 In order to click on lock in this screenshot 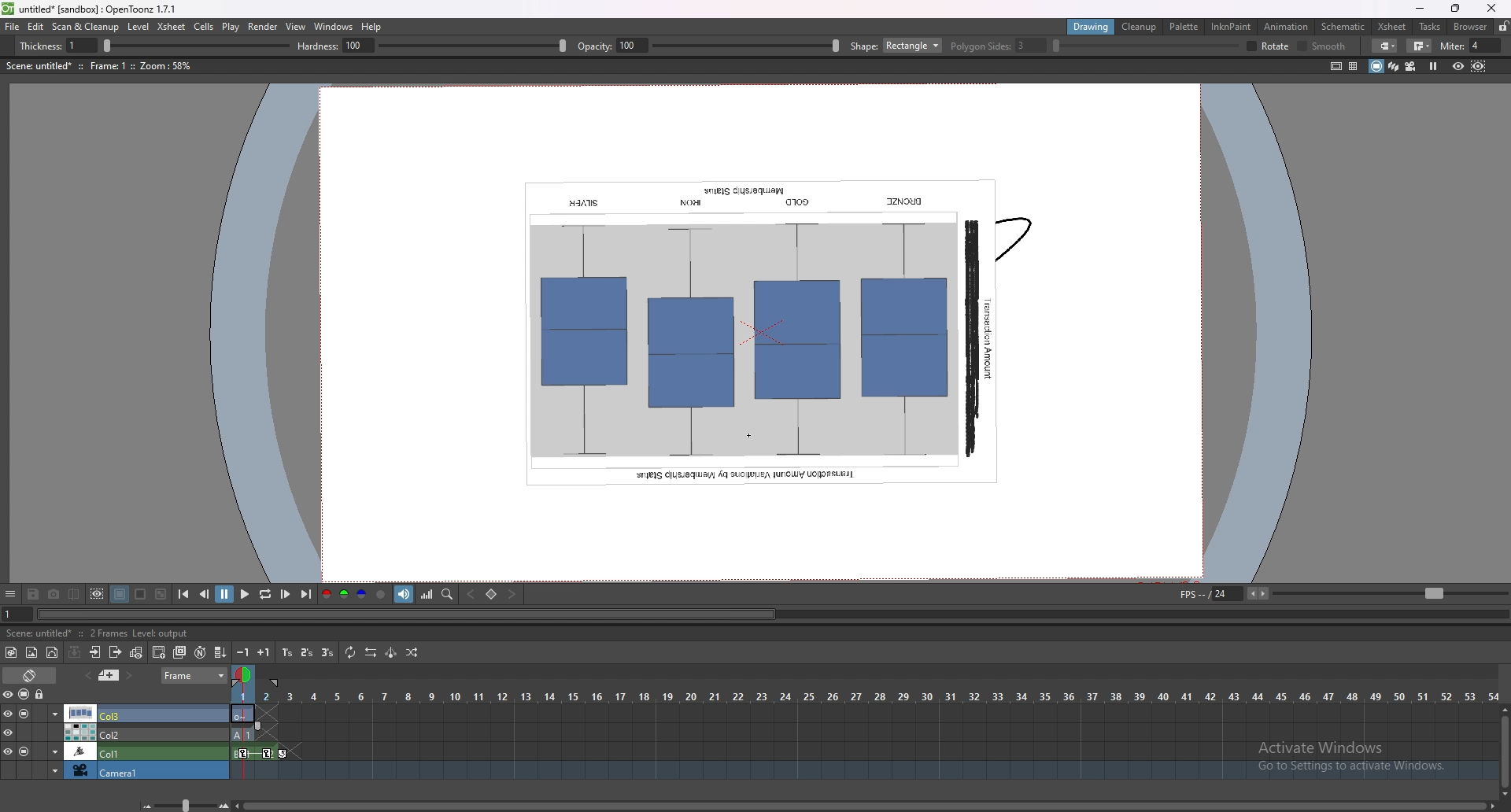, I will do `click(1503, 26)`.